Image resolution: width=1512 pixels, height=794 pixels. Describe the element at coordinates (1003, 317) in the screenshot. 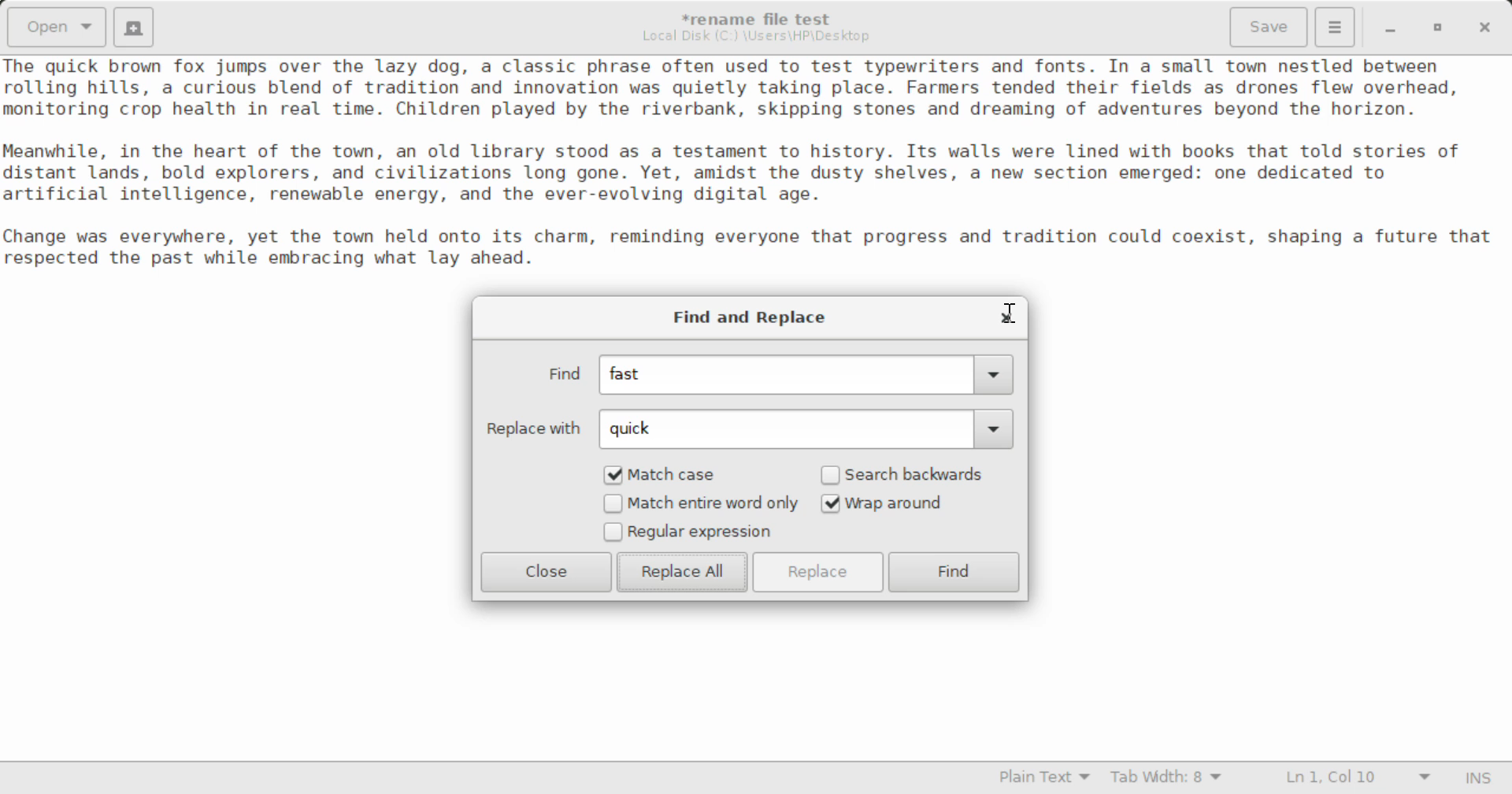

I see `Close Window` at that location.